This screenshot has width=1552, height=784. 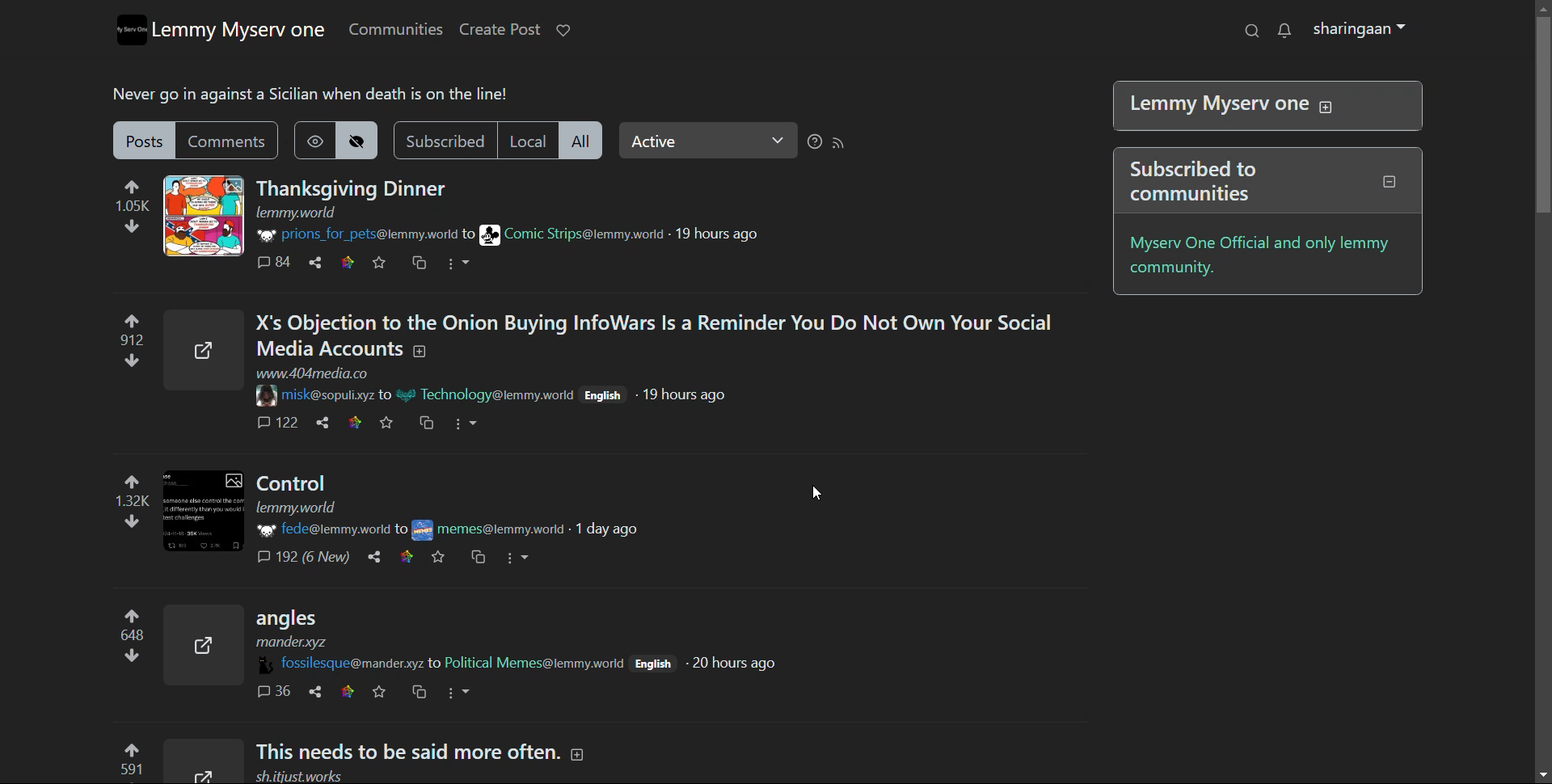 What do you see at coordinates (133, 209) in the screenshot?
I see `upvote and downvote` at bounding box center [133, 209].